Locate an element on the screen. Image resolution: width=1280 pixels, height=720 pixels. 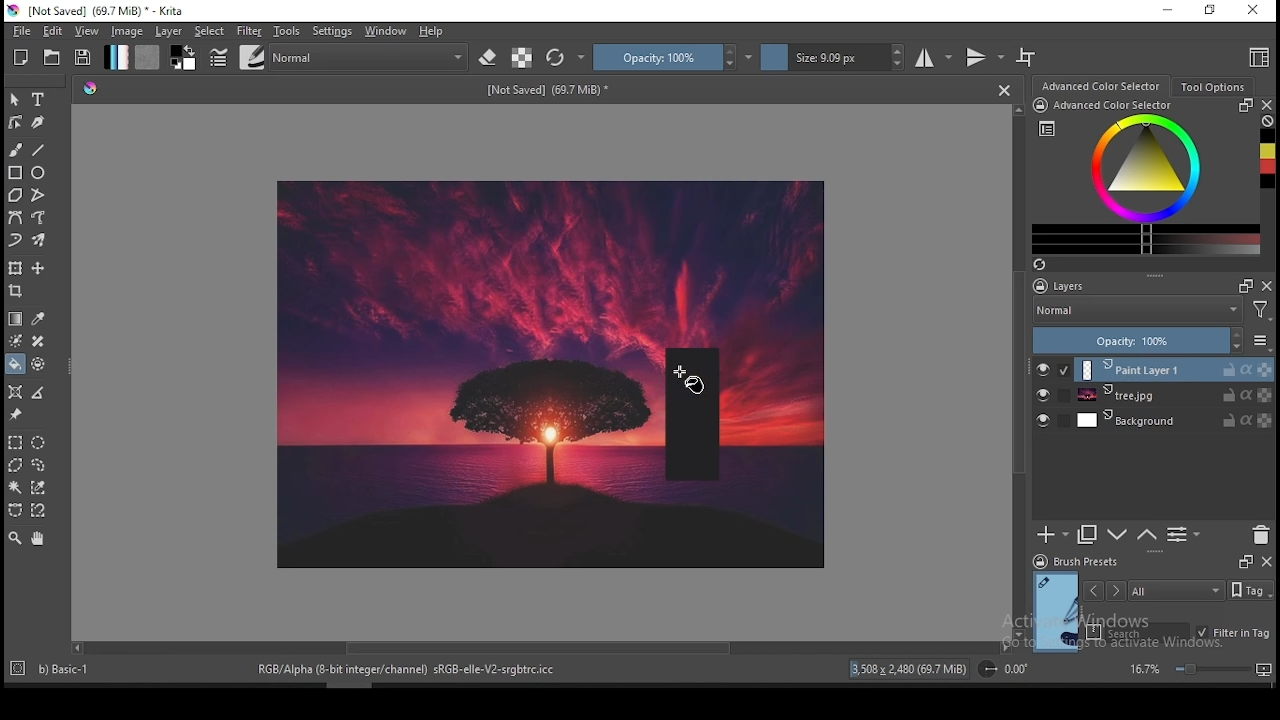
calligraphy is located at coordinates (37, 122).